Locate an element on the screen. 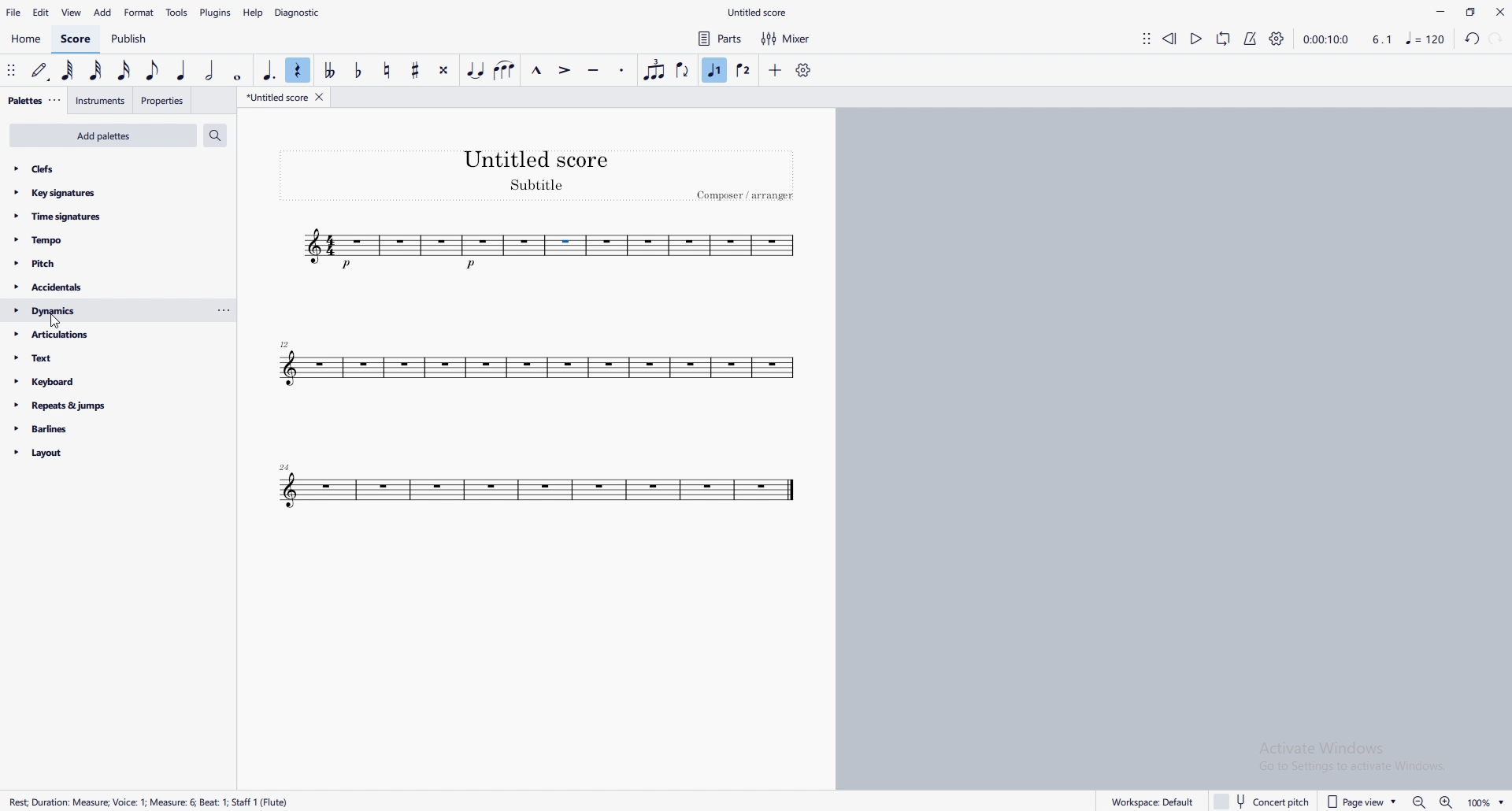  metronome is located at coordinates (1251, 38).